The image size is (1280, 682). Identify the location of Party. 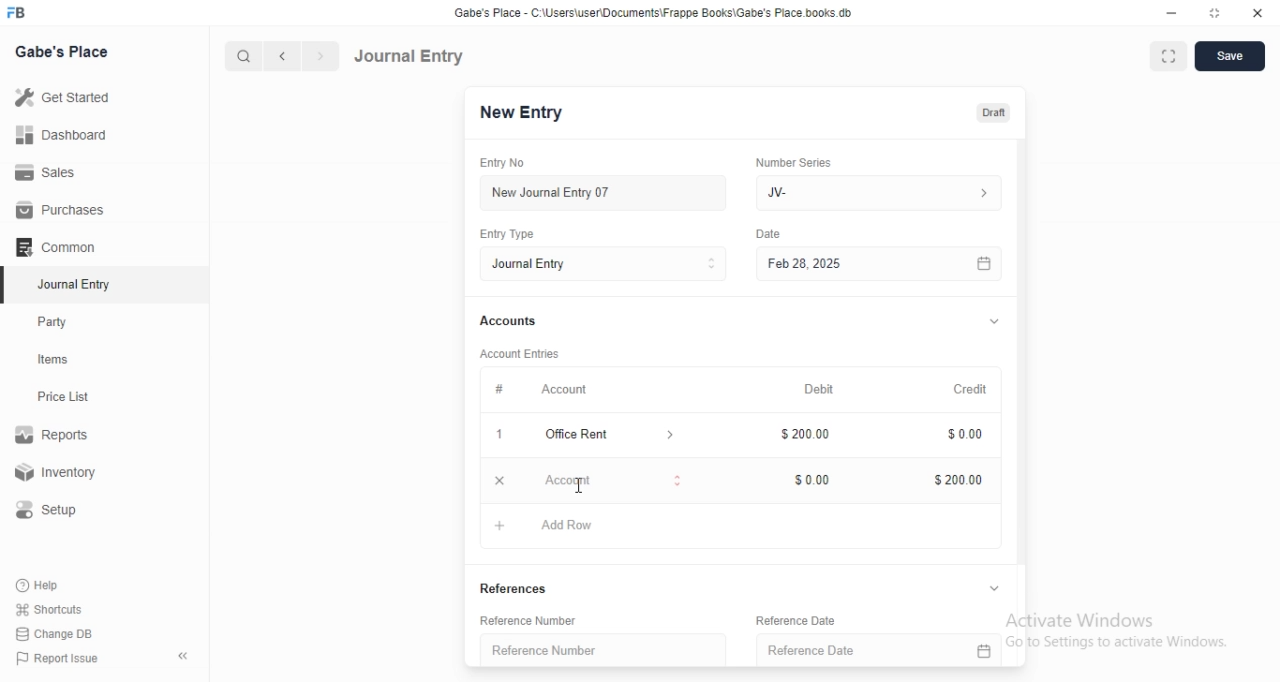
(57, 322).